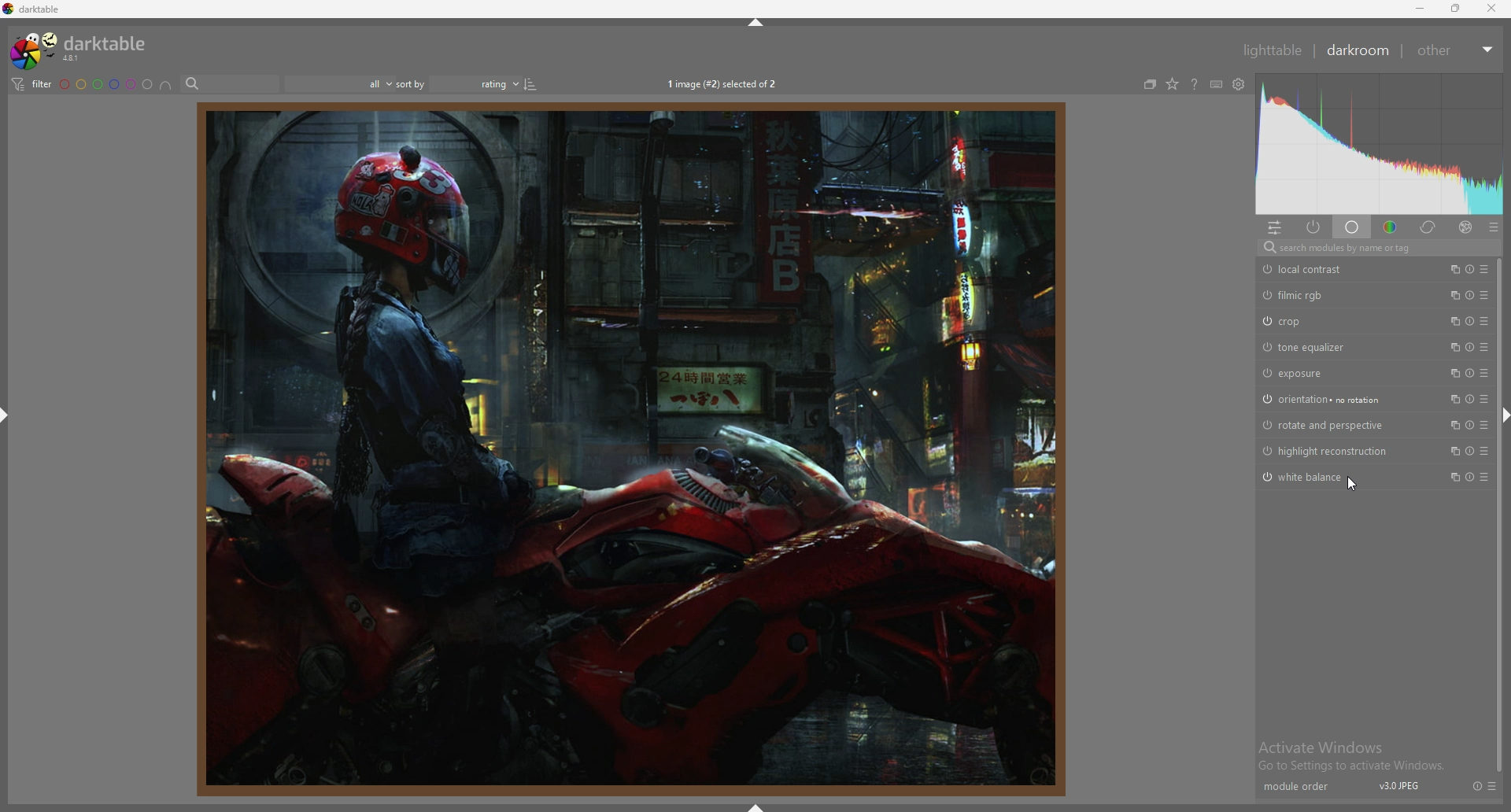 The width and height of the screenshot is (1511, 812). What do you see at coordinates (35, 9) in the screenshot?
I see `darktable` at bounding box center [35, 9].